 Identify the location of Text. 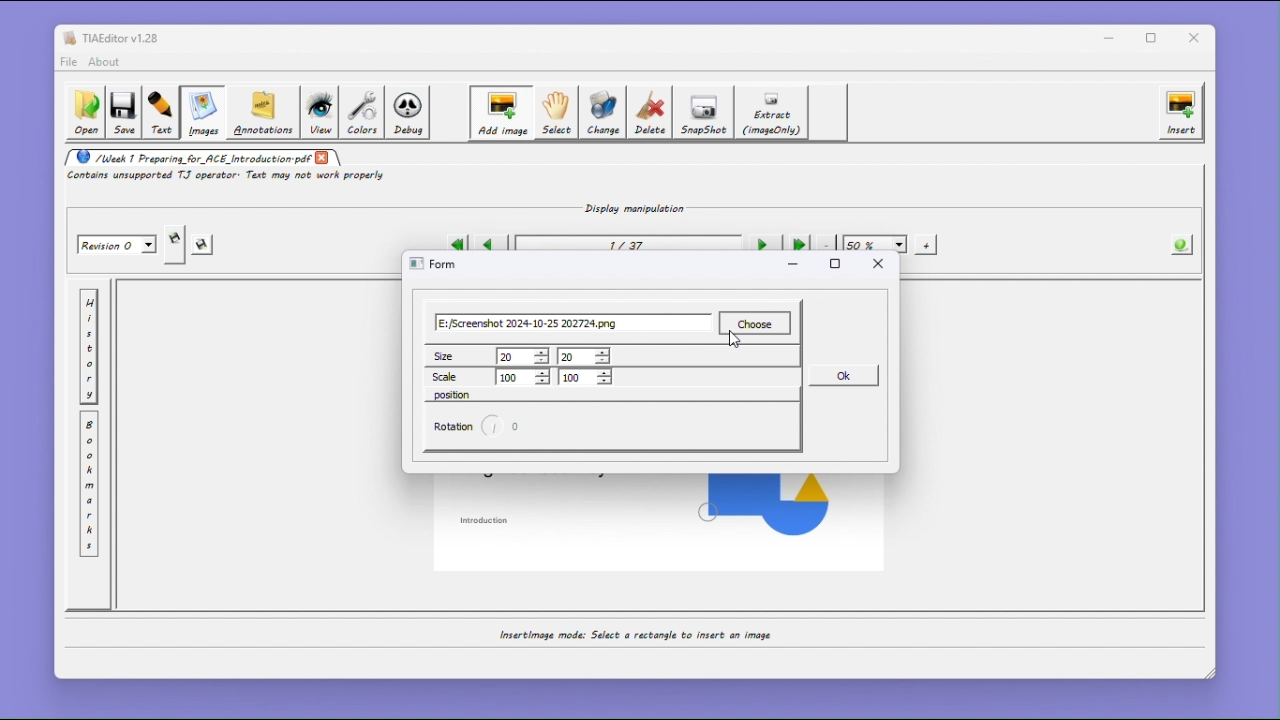
(161, 113).